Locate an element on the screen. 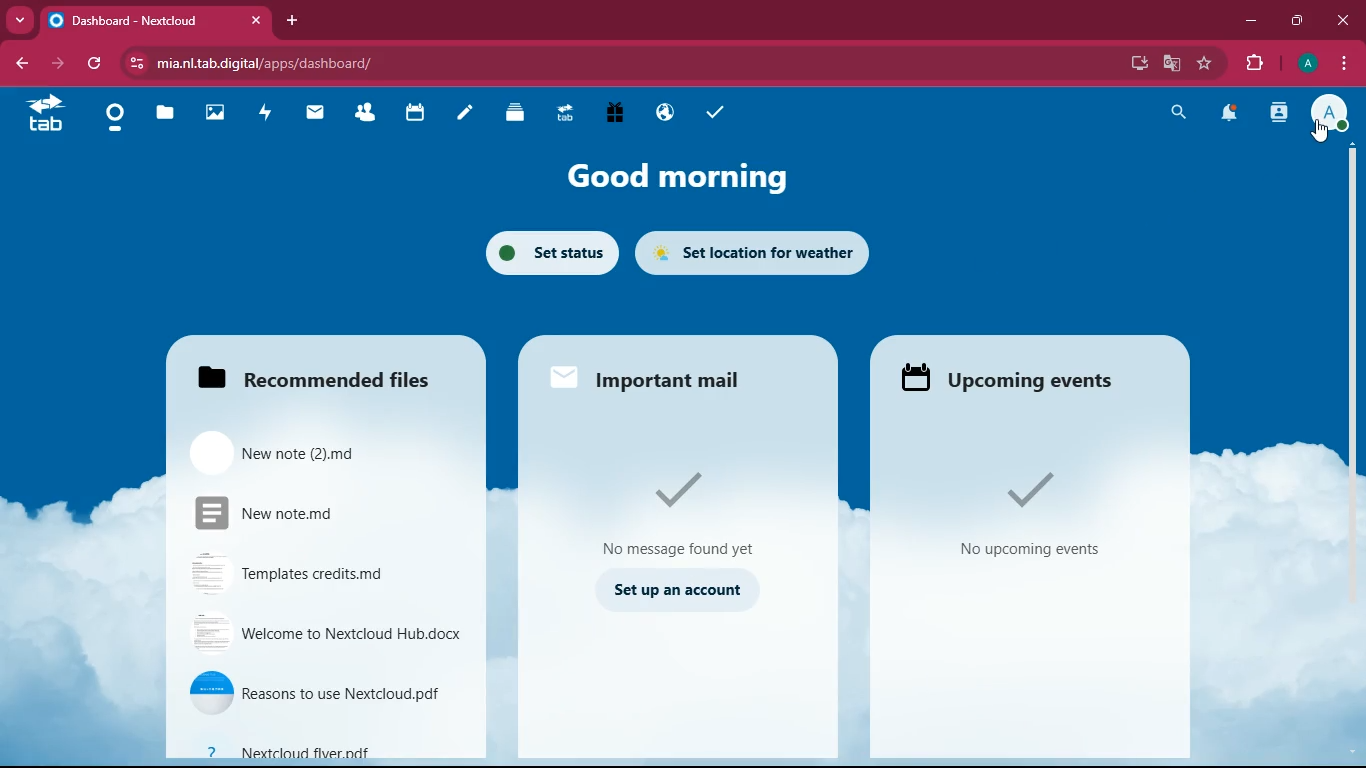  New note.md is located at coordinates (323, 512).